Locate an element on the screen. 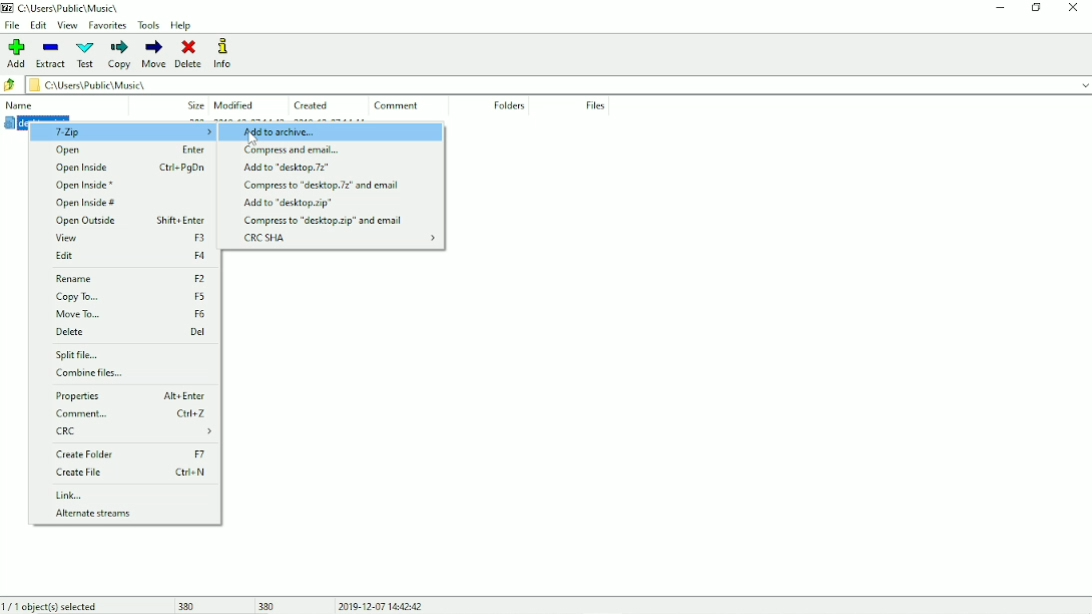 The height and width of the screenshot is (614, 1092). desktop.ini is located at coordinates (186, 121).